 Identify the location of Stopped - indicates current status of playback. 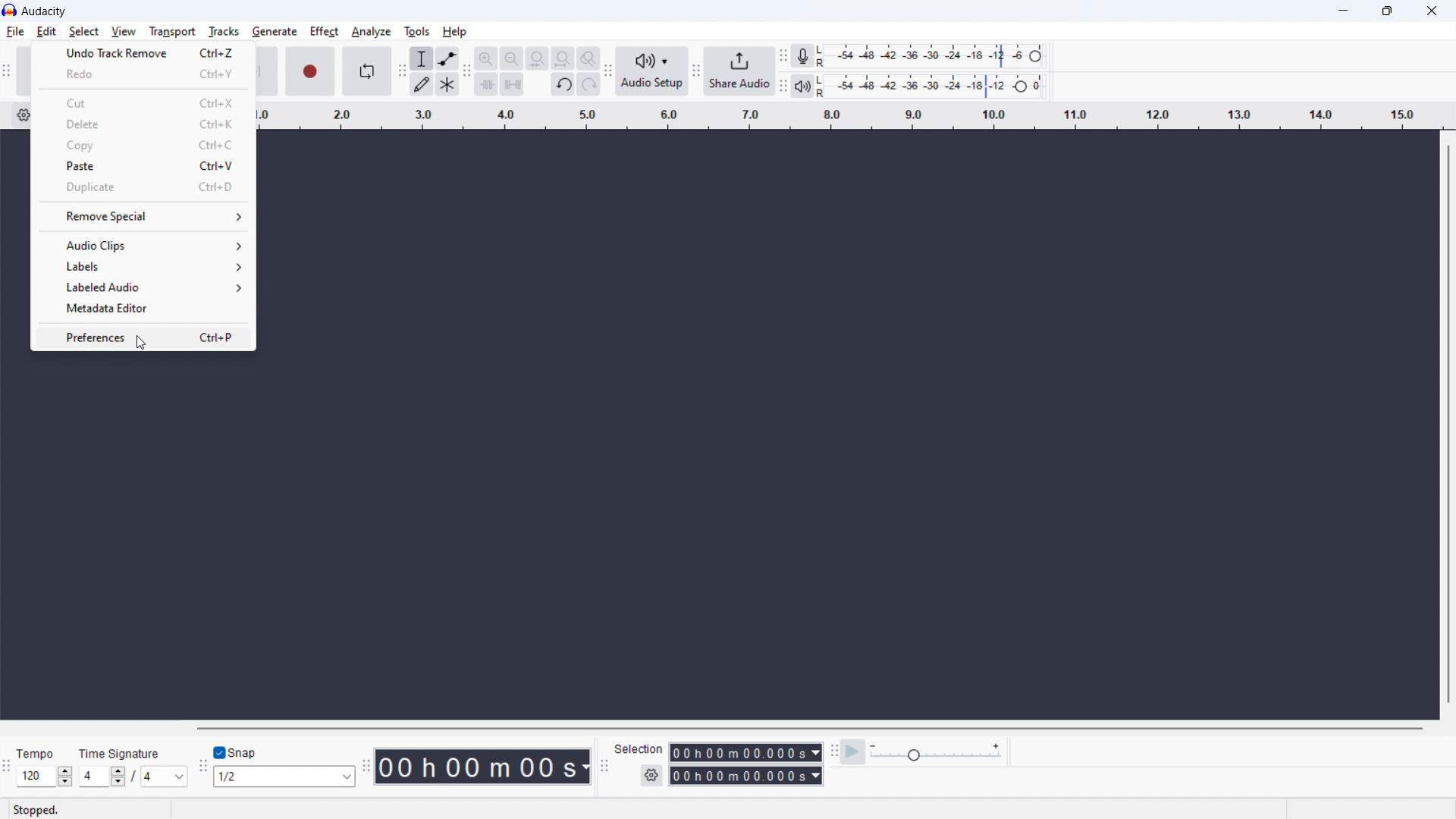
(87, 809).